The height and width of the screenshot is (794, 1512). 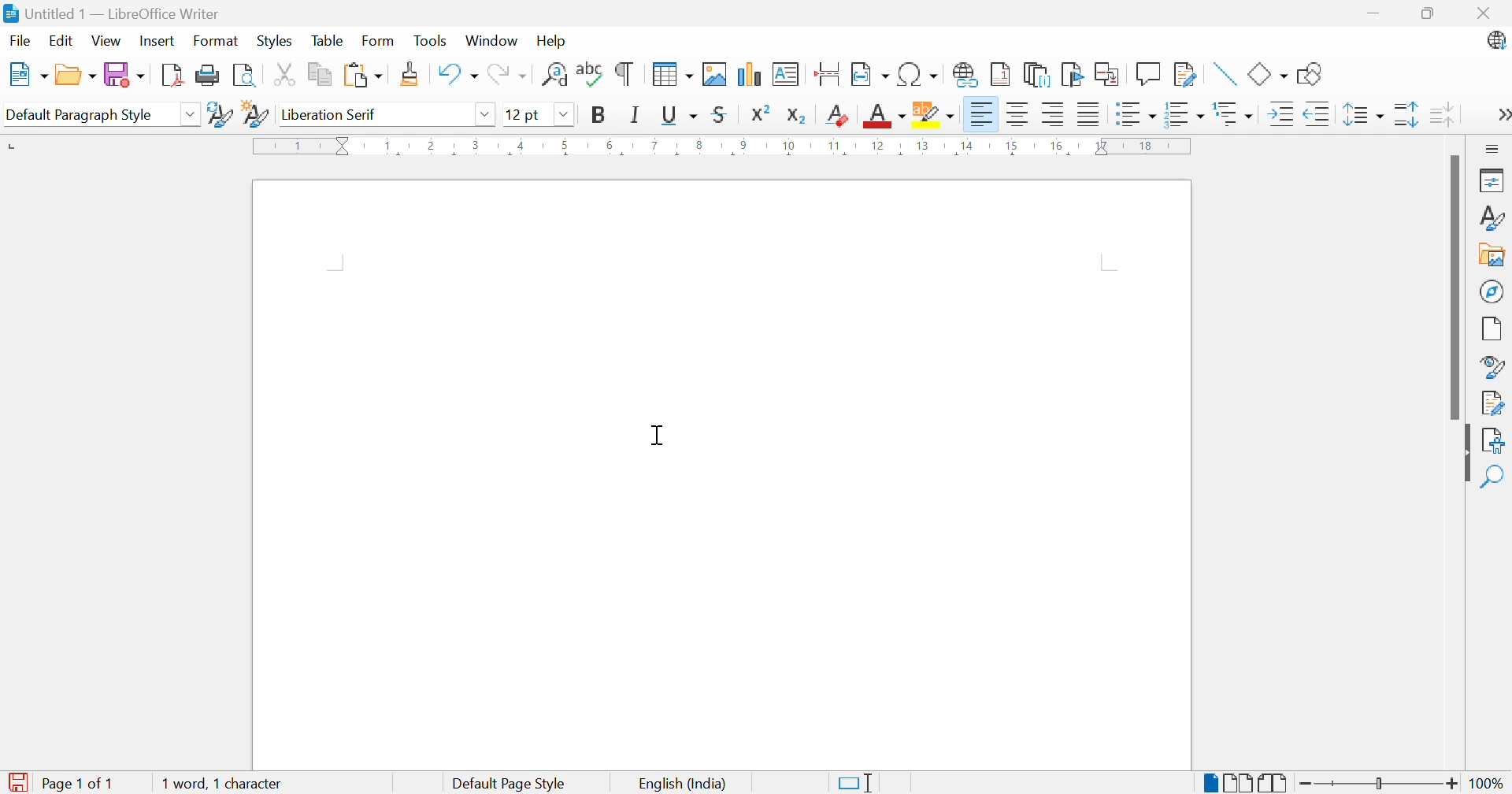 What do you see at coordinates (1492, 331) in the screenshot?
I see `Page` at bounding box center [1492, 331].